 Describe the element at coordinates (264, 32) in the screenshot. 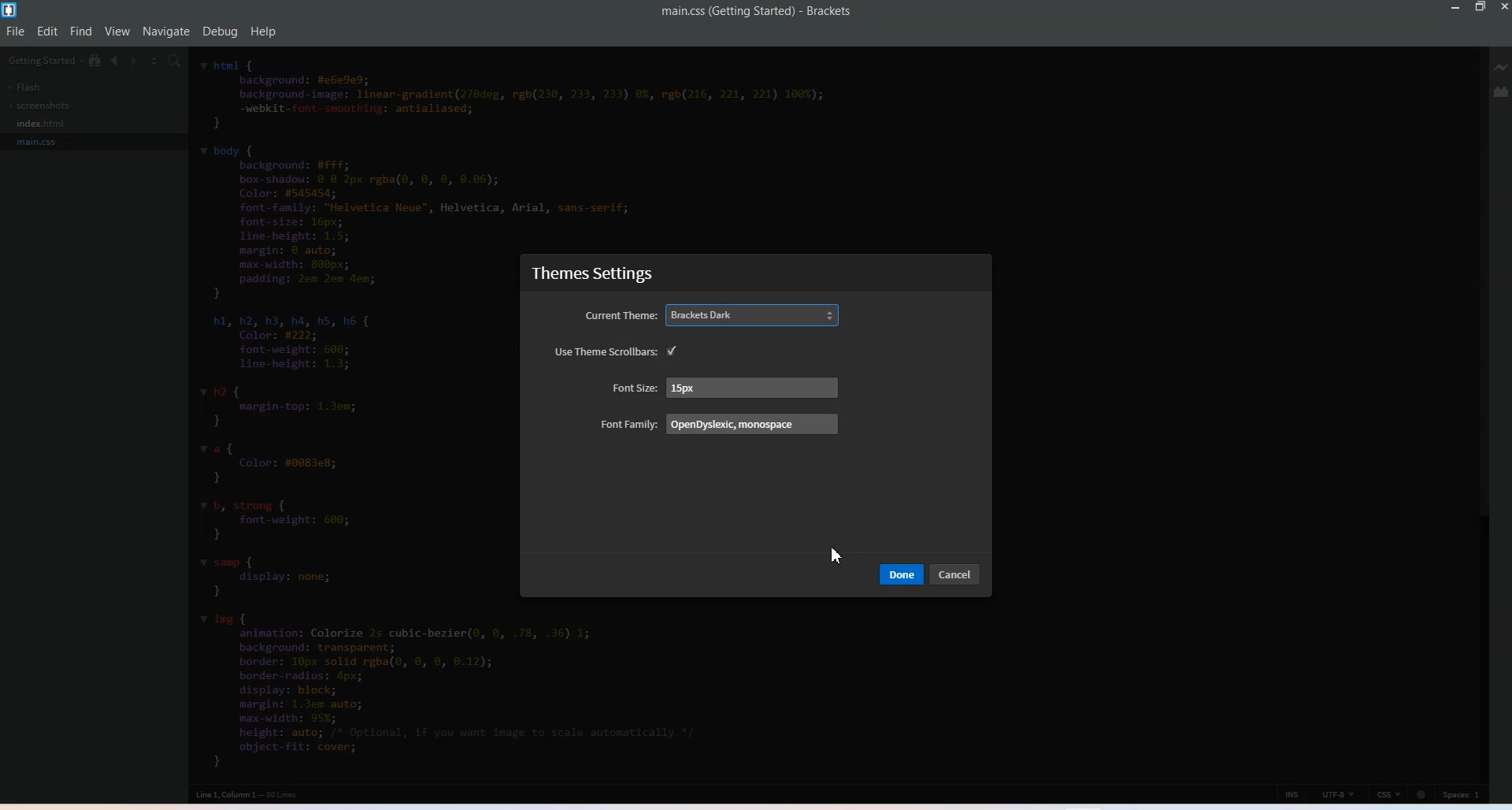

I see `Help` at that location.